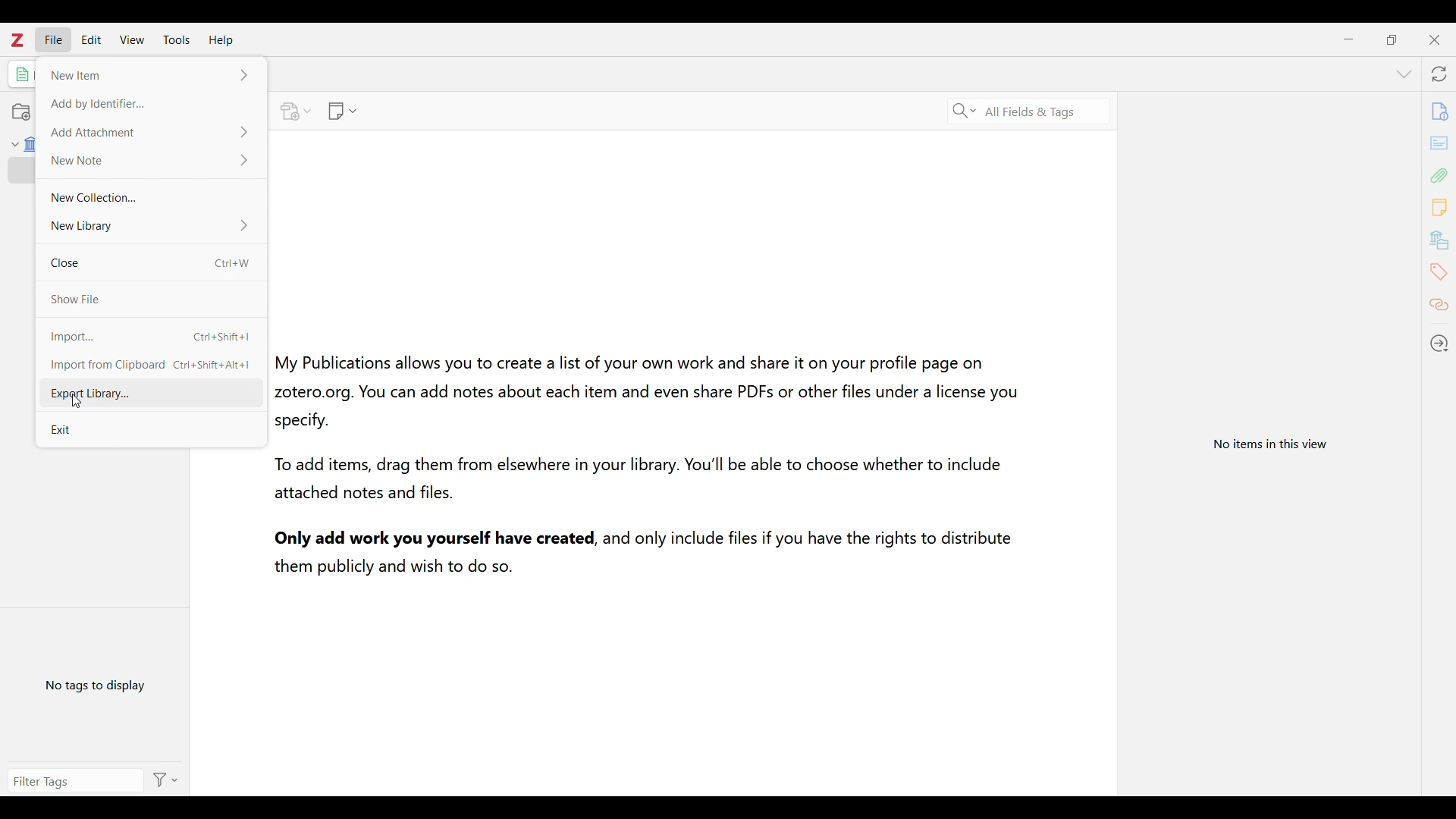  I want to click on Minimize, so click(1348, 39).